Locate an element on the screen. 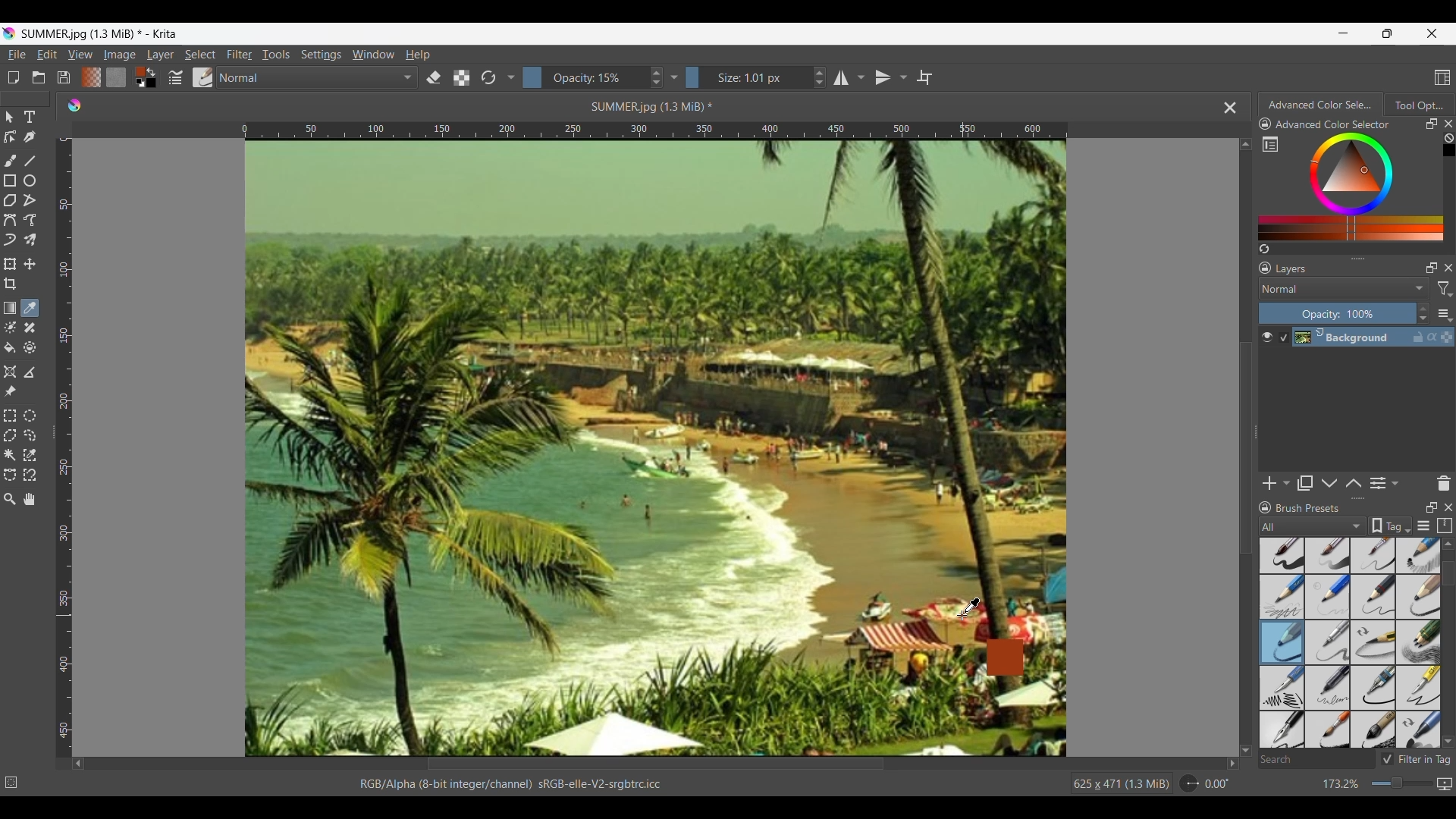 The height and width of the screenshot is (819, 1456). Line tool is located at coordinates (31, 161).